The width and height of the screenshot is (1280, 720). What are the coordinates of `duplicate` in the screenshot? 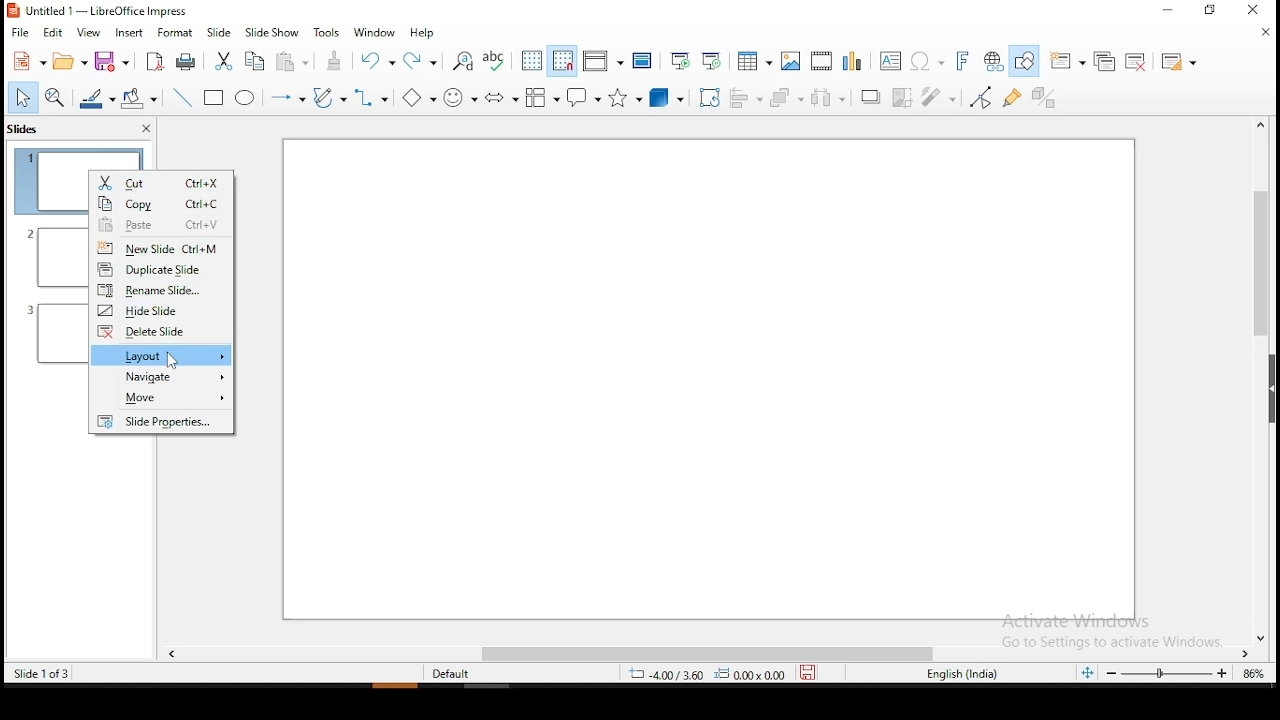 It's located at (1108, 61).